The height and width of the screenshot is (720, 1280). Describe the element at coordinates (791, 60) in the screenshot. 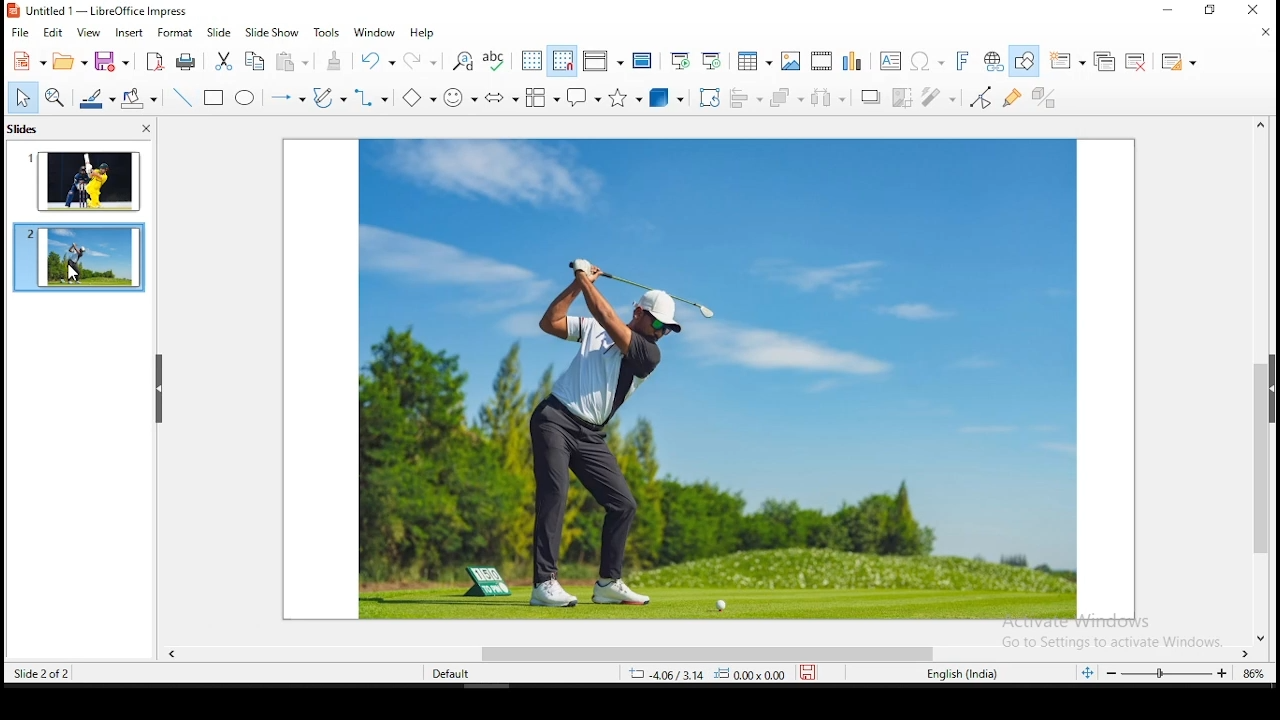

I see `insert image` at that location.